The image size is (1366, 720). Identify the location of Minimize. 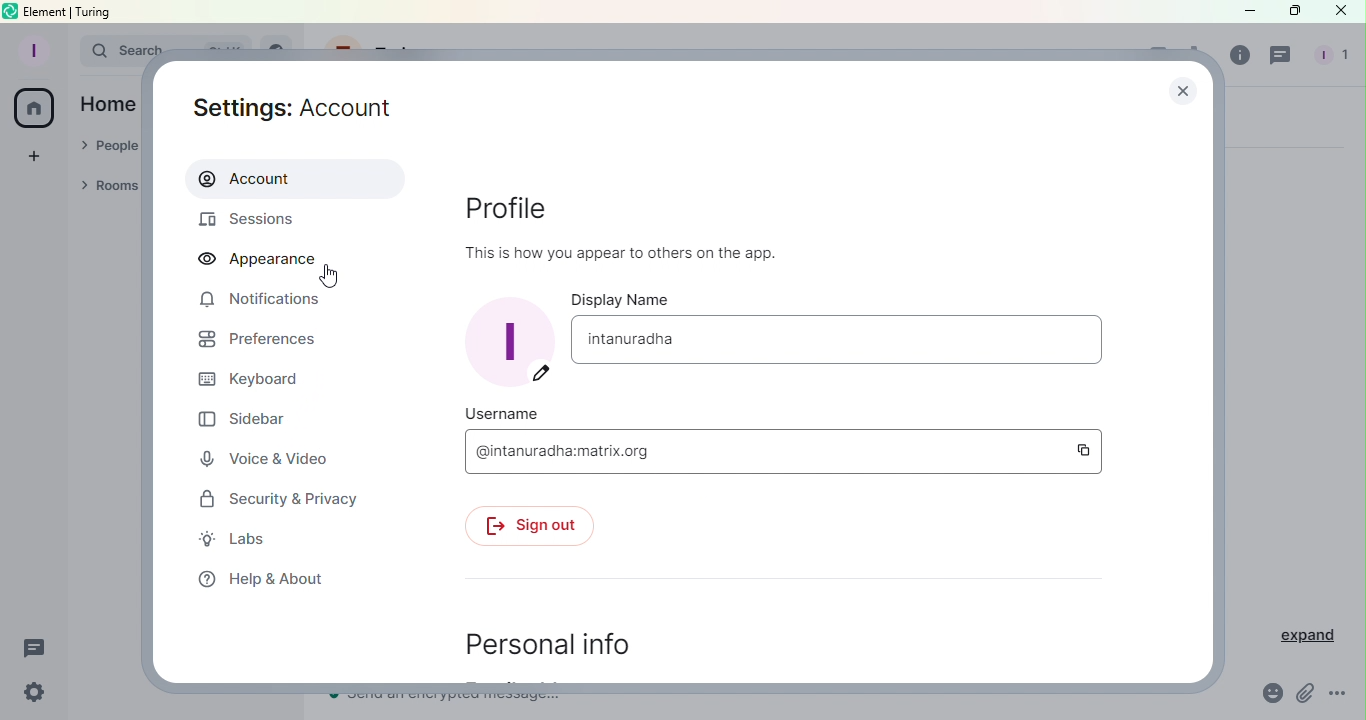
(1247, 11).